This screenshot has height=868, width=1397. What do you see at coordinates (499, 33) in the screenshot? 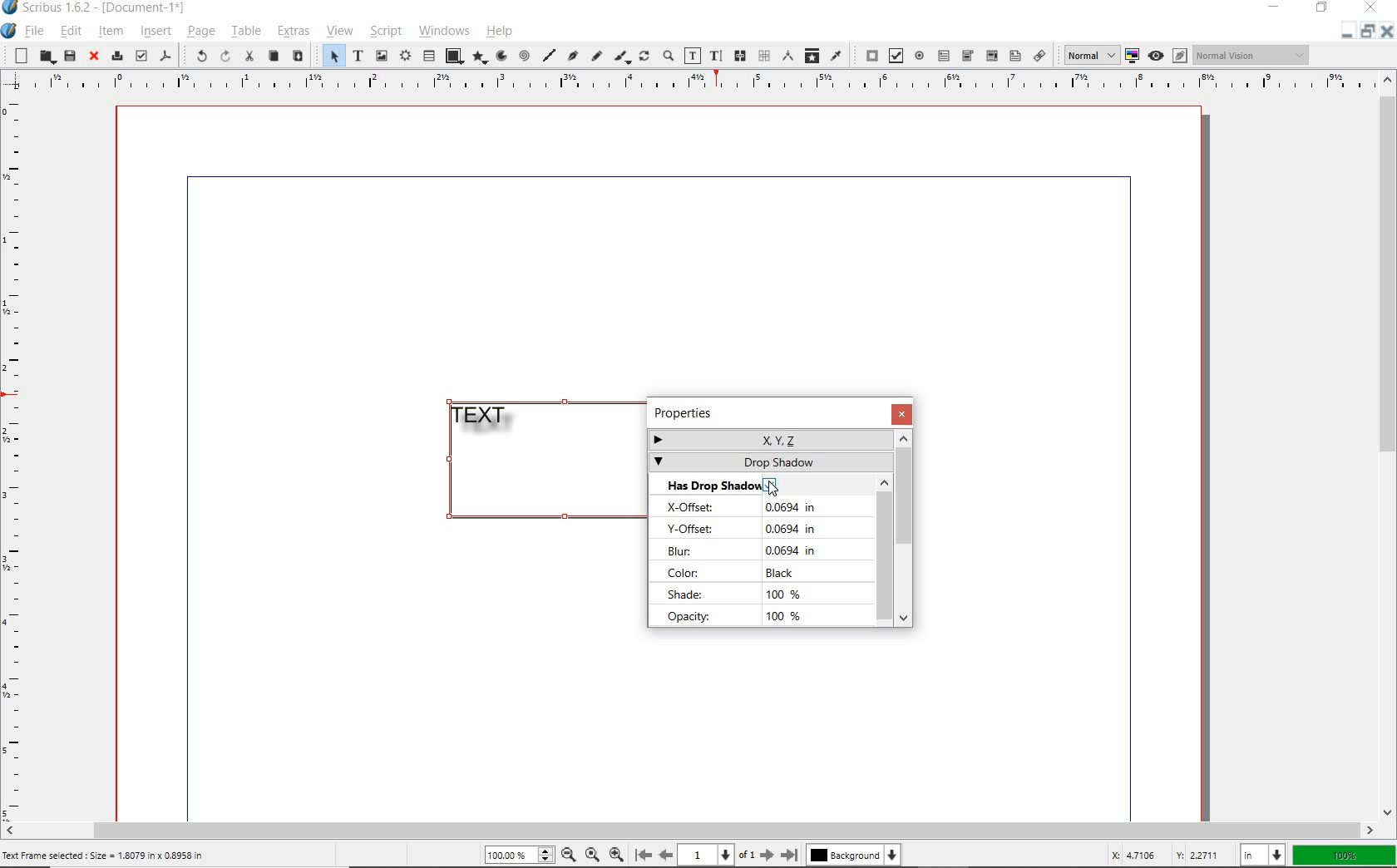
I see `help` at bounding box center [499, 33].